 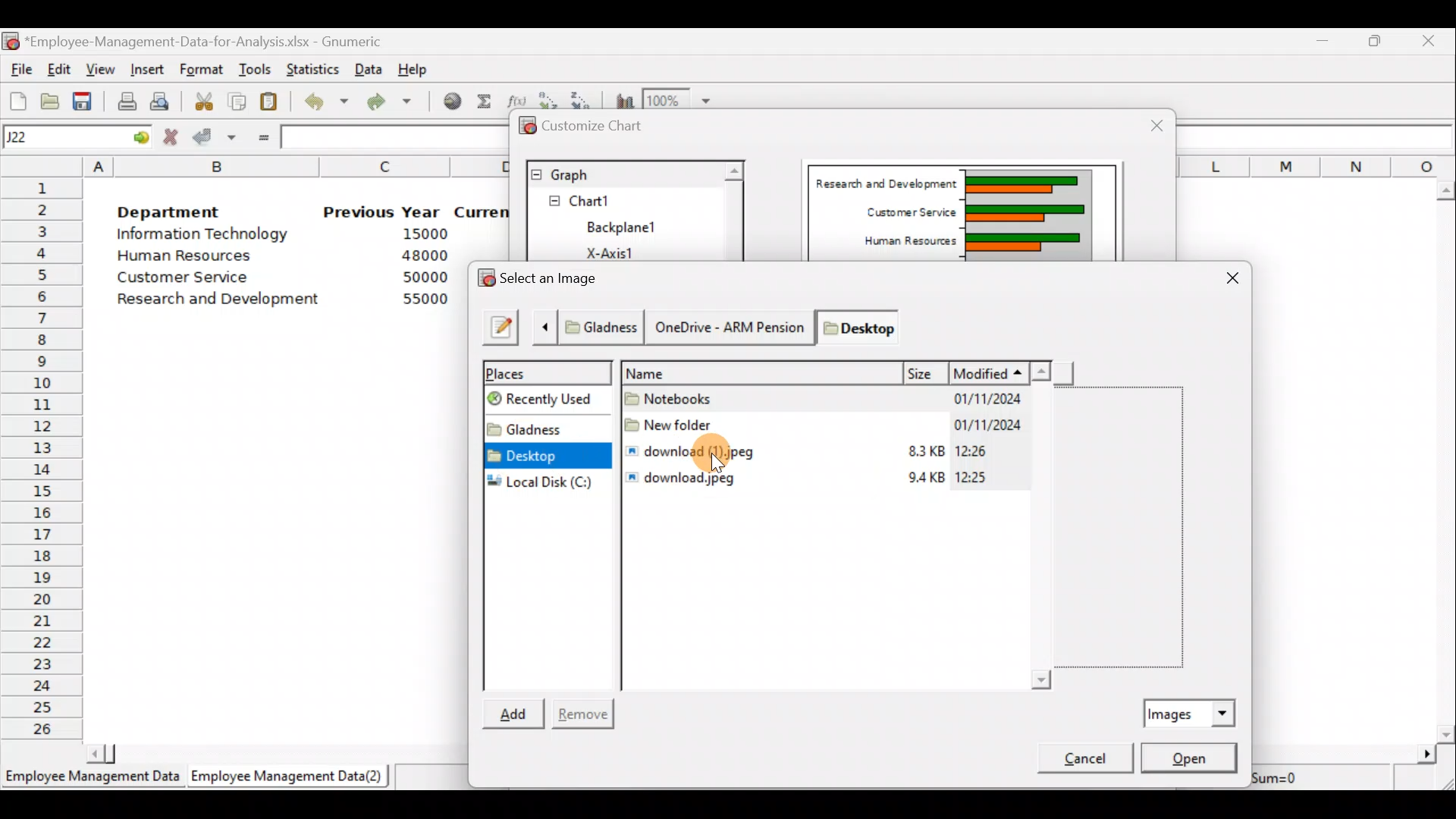 I want to click on Cell name J22, so click(x=58, y=137).